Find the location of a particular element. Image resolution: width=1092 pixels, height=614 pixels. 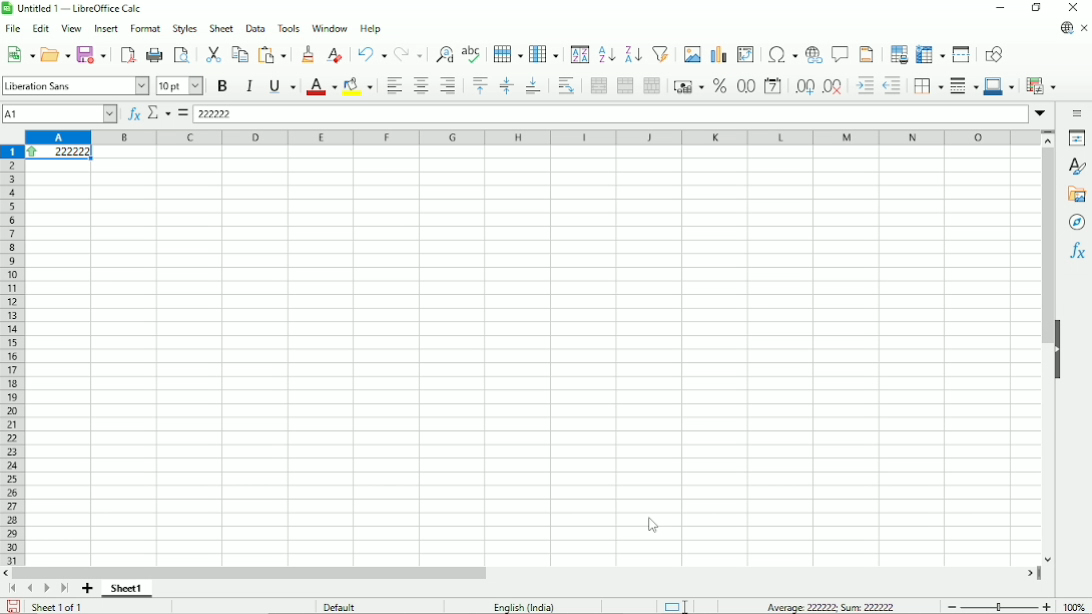

Sheet is located at coordinates (219, 28).